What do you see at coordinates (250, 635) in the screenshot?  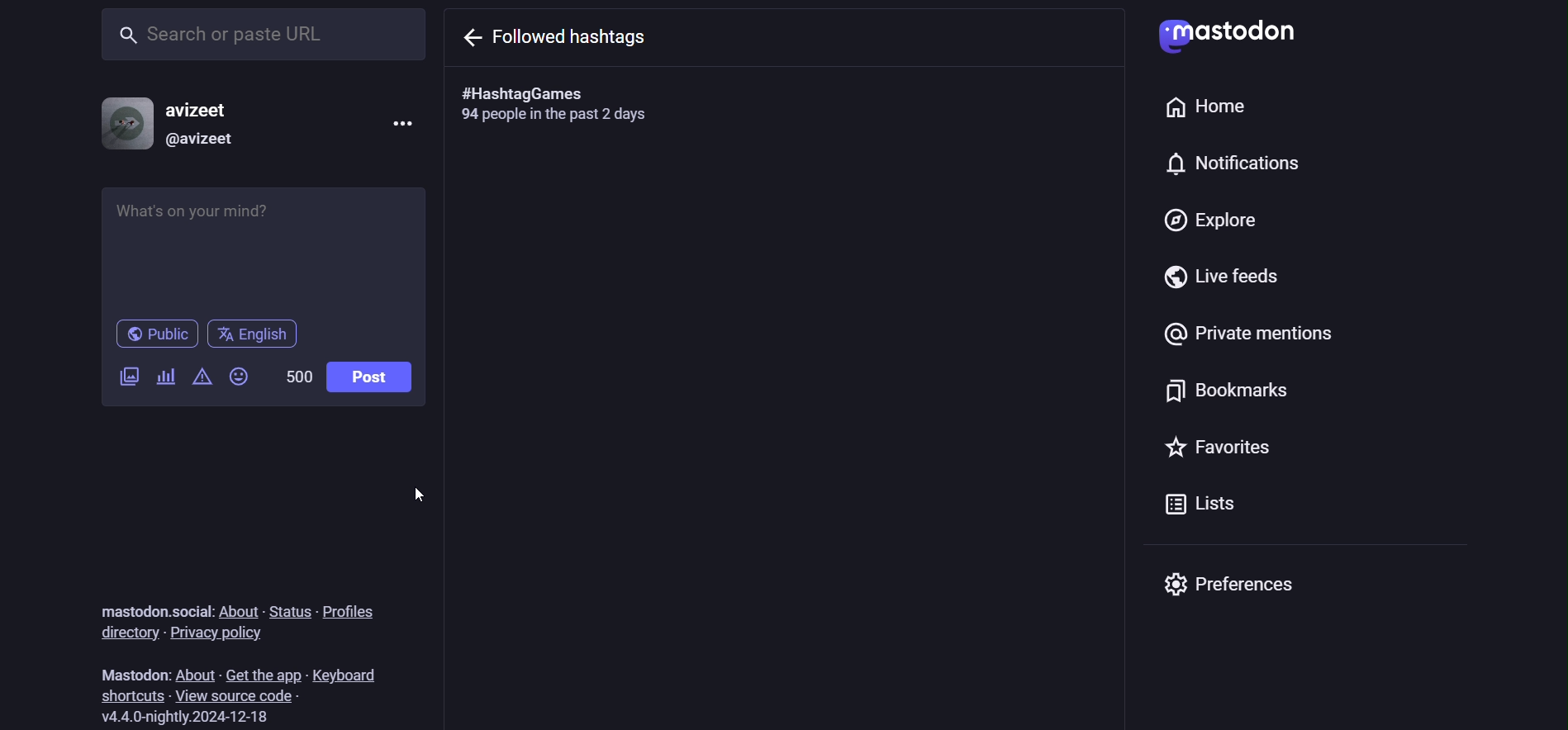 I see `privacy policy` at bounding box center [250, 635].